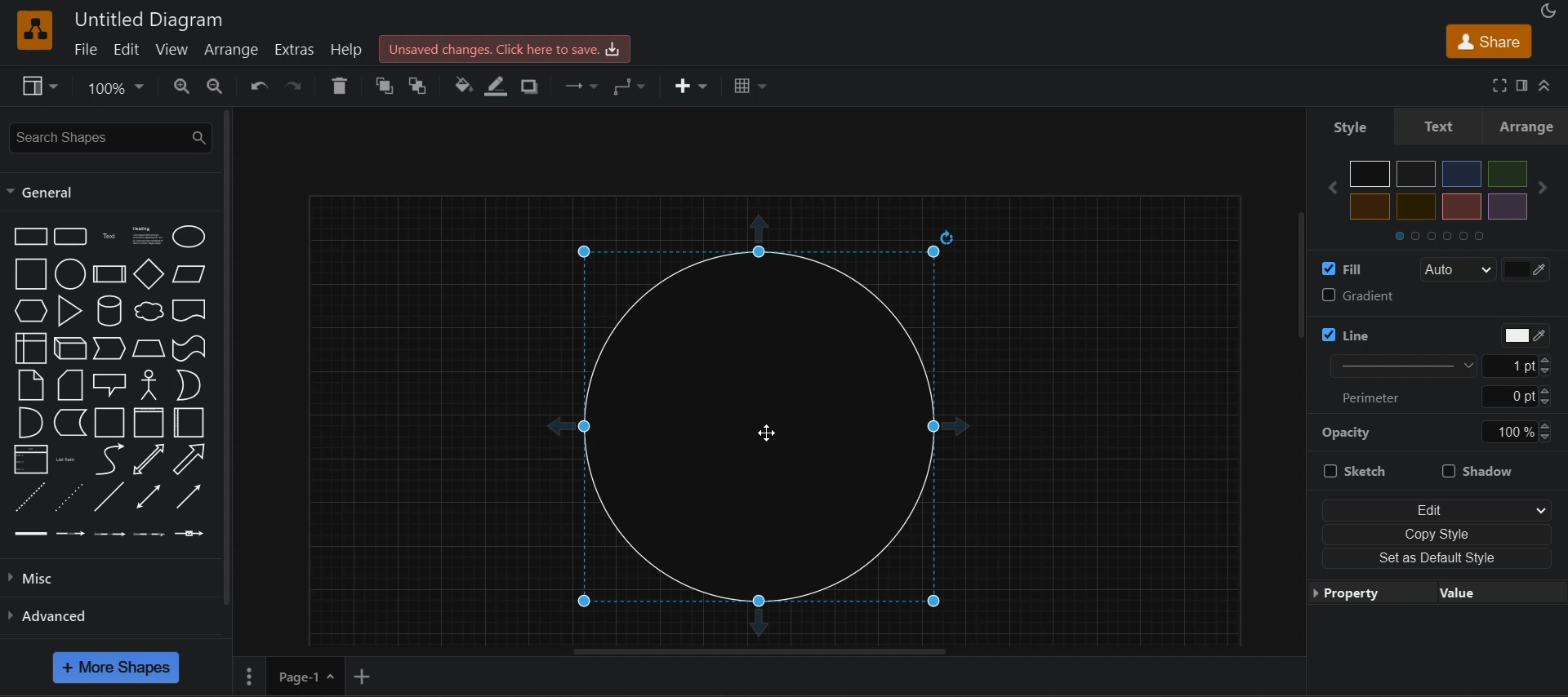  Describe the element at coordinates (70, 275) in the screenshot. I see `circle` at that location.